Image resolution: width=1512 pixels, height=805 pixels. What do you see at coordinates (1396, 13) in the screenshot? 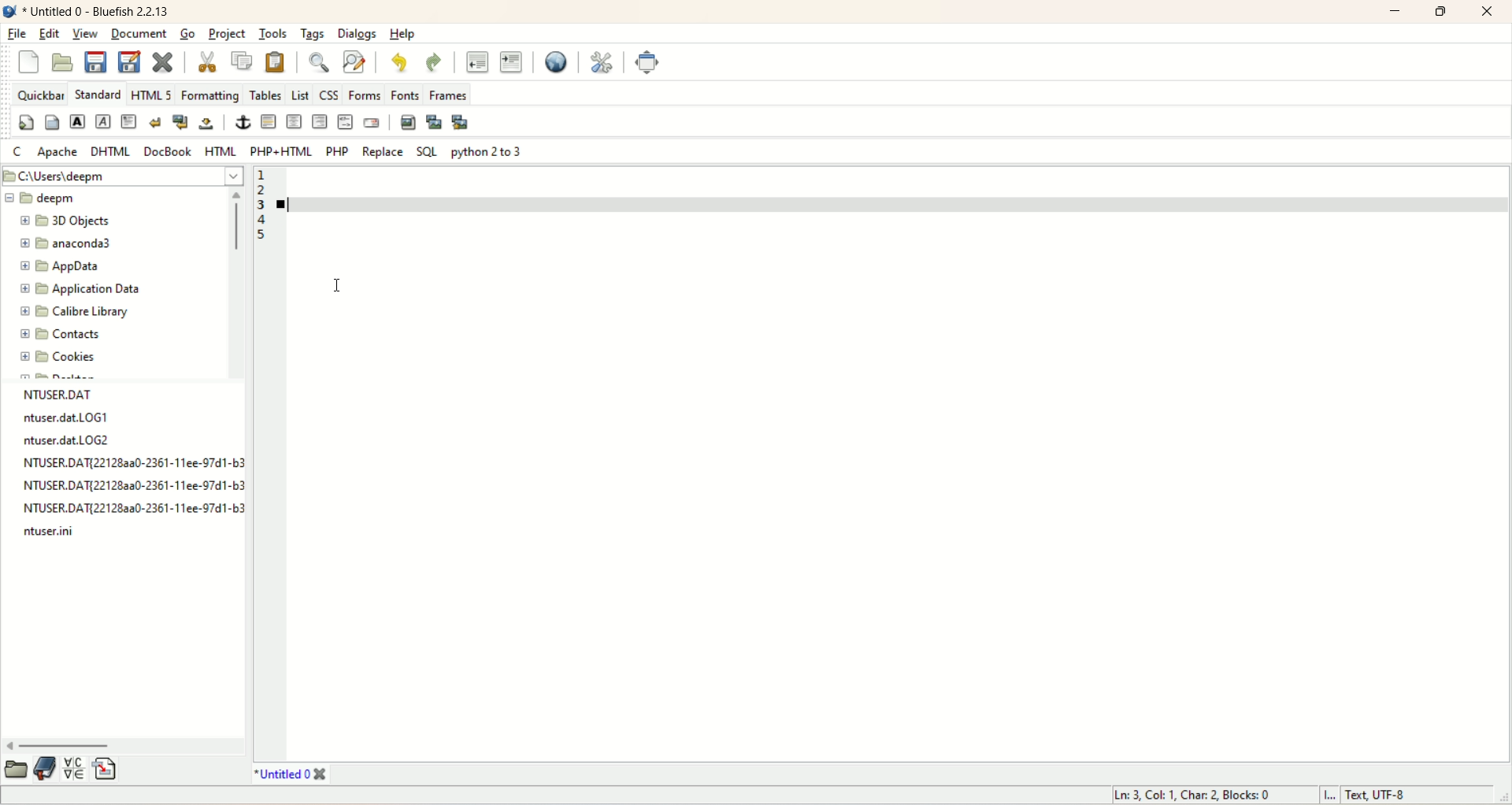
I see `minimize` at bounding box center [1396, 13].